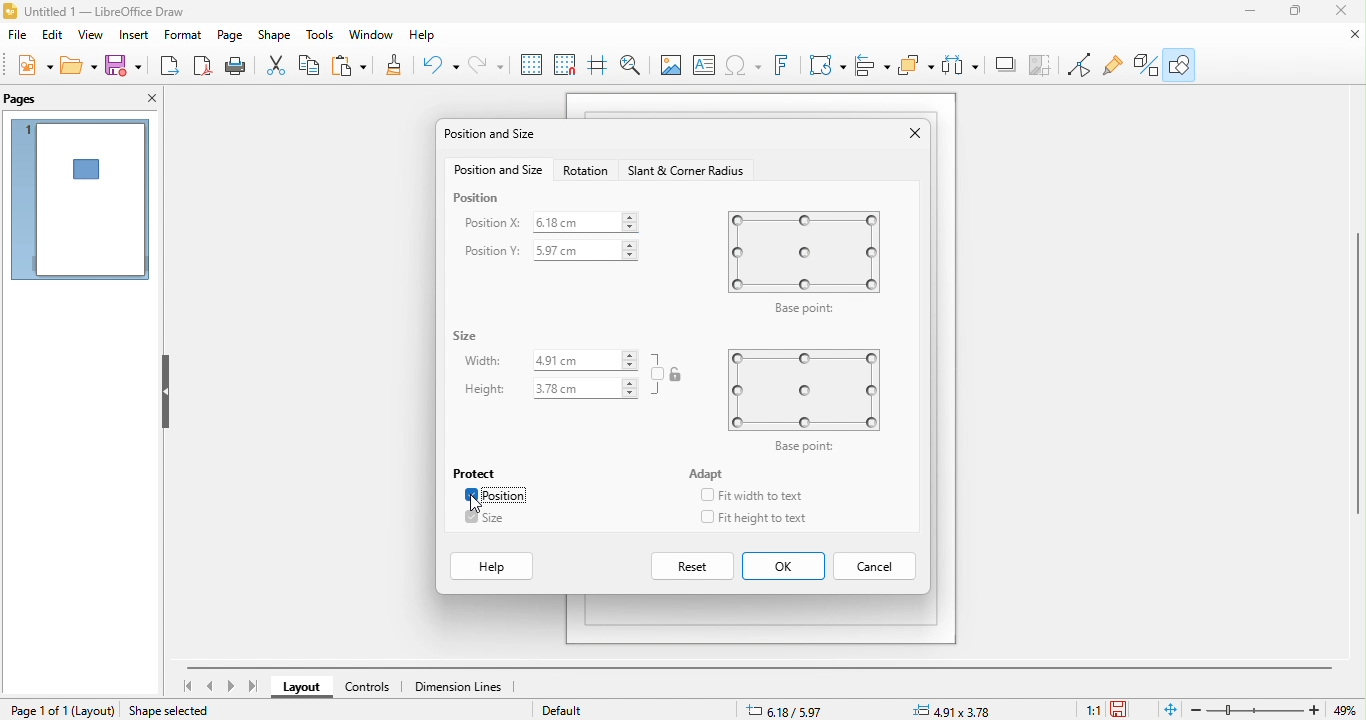 The width and height of the screenshot is (1366, 720). What do you see at coordinates (1252, 11) in the screenshot?
I see `minimize` at bounding box center [1252, 11].